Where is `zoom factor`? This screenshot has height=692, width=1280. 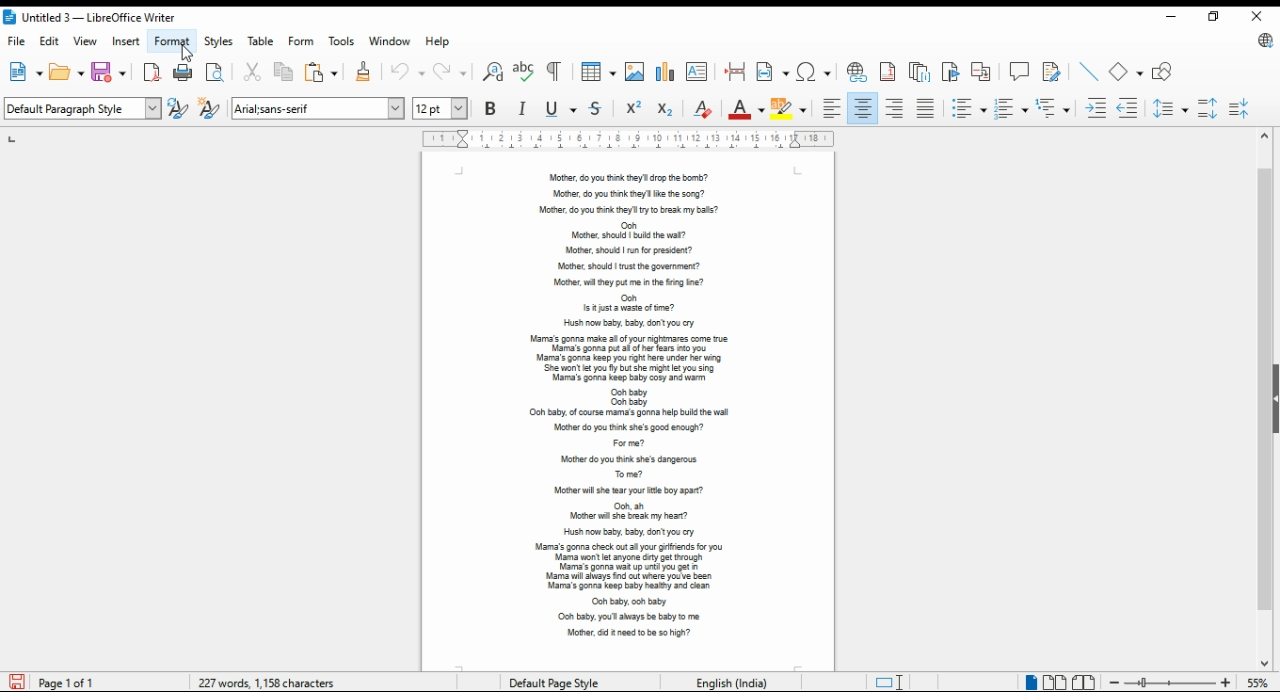
zoom factor is located at coordinates (1259, 683).